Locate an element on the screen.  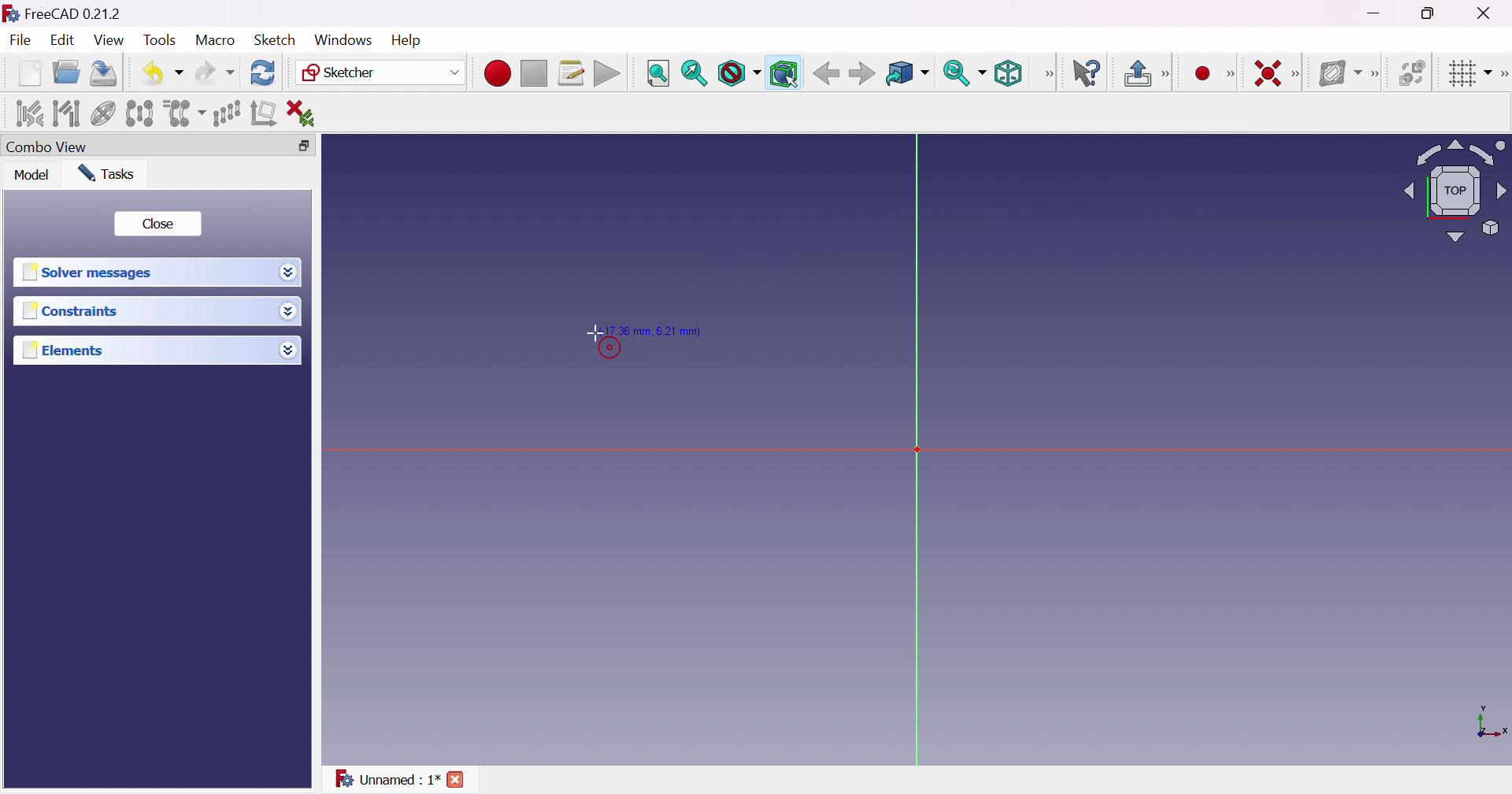
Restore down is located at coordinates (302, 146).